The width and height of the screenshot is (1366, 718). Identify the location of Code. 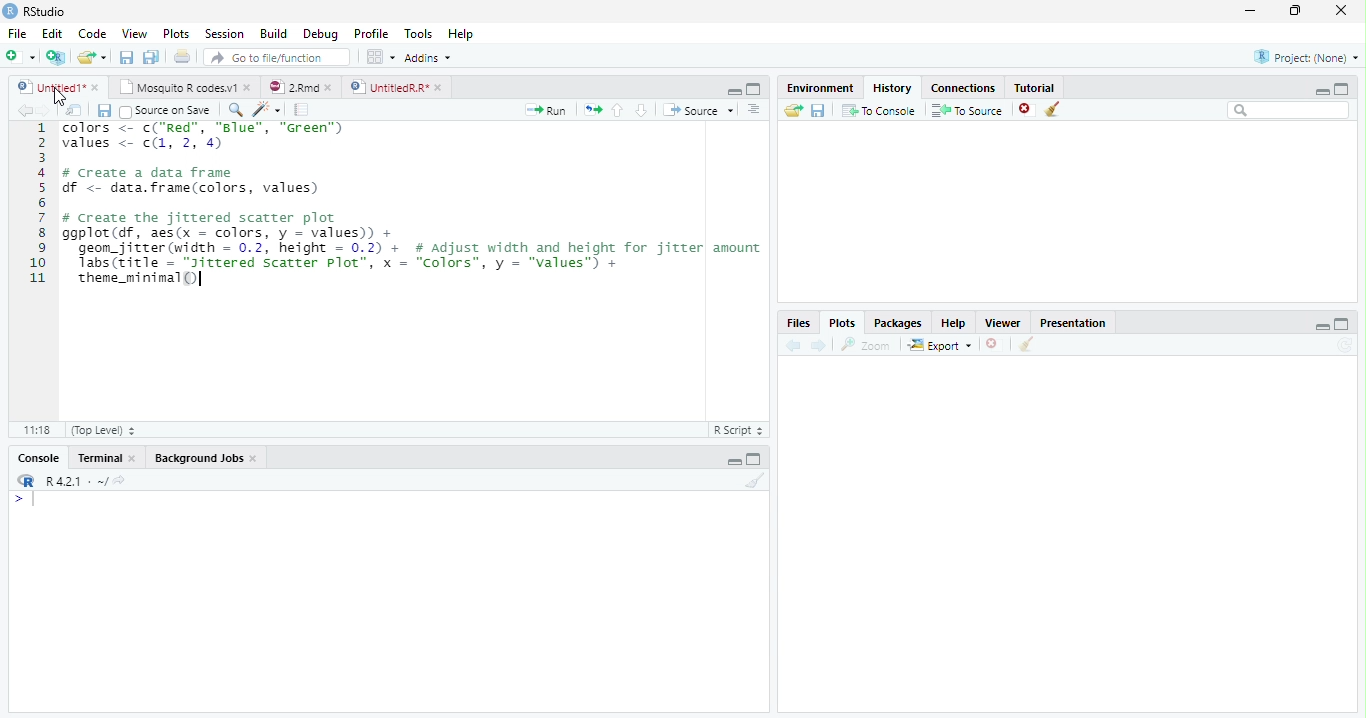
(92, 33).